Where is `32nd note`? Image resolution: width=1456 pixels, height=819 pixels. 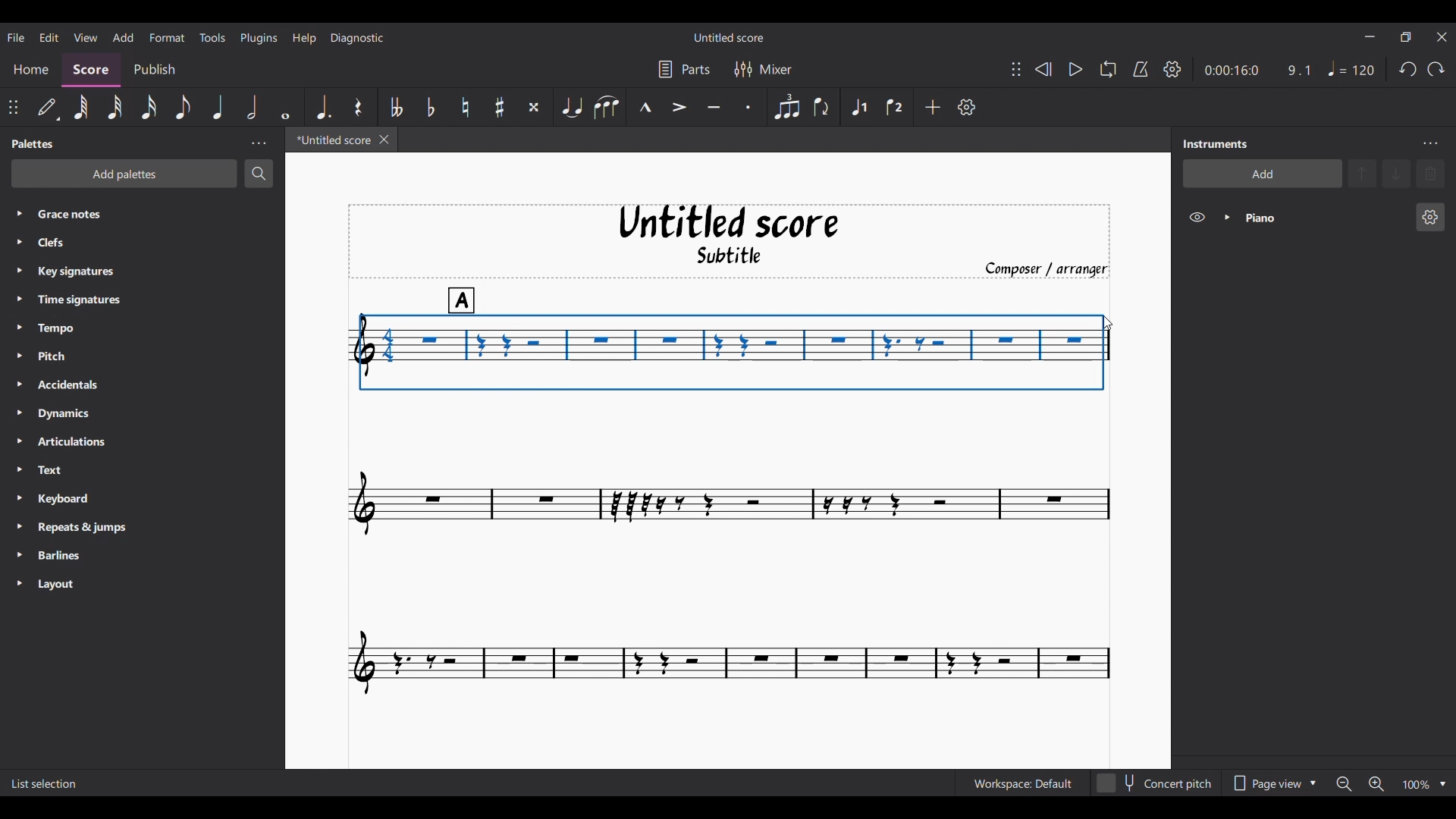
32nd note is located at coordinates (113, 107).